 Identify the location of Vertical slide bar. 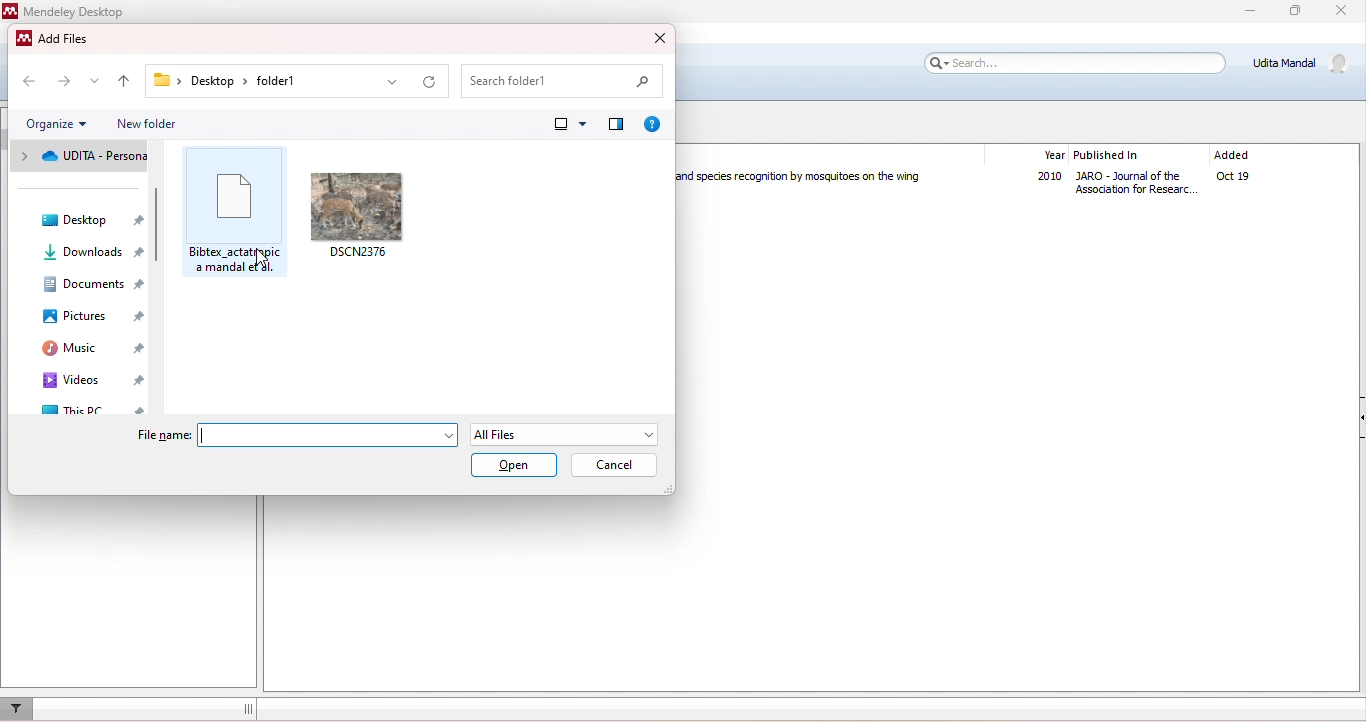
(156, 224).